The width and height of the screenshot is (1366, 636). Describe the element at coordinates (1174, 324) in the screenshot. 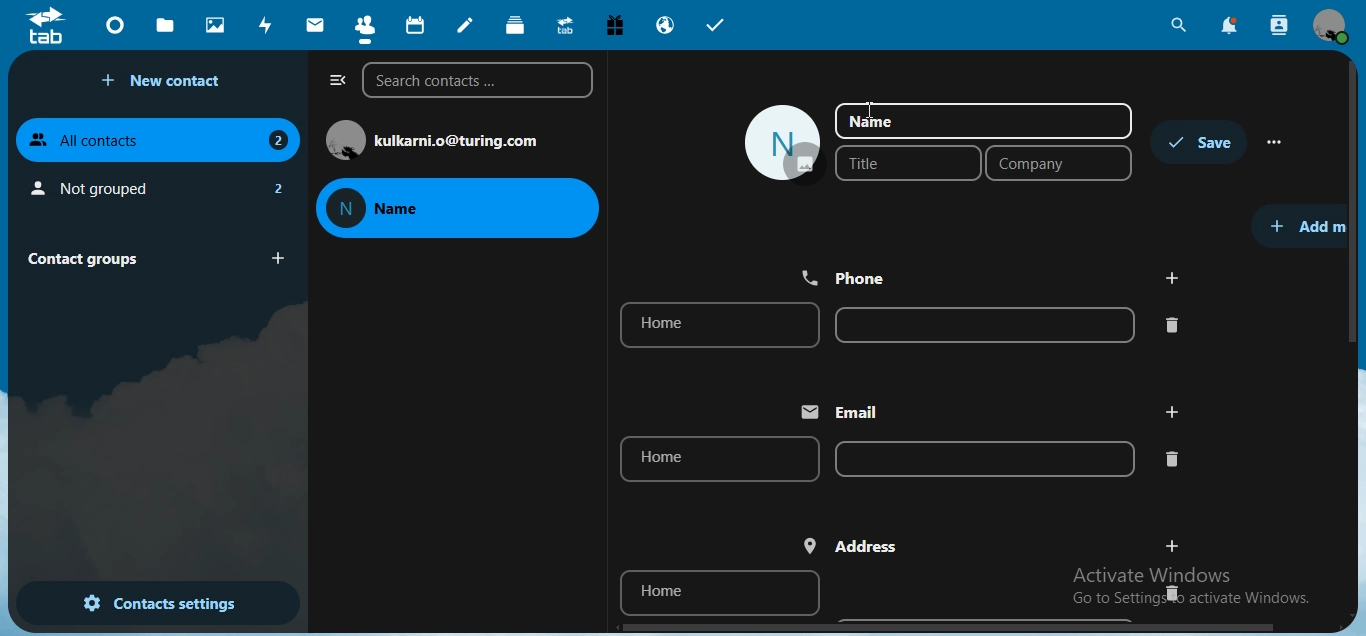

I see `delete` at that location.